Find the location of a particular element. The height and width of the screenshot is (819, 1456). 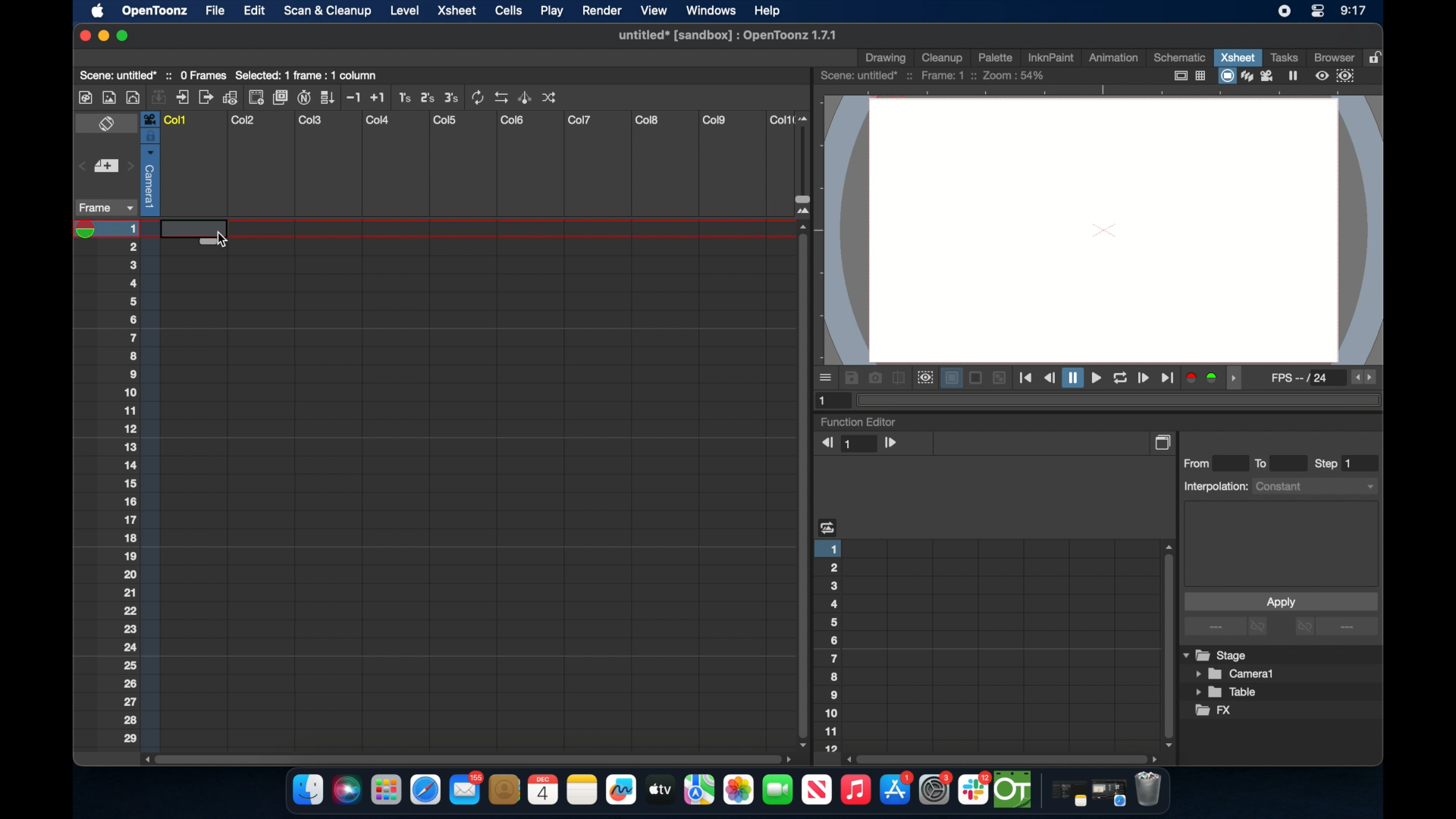

notes is located at coordinates (582, 790).